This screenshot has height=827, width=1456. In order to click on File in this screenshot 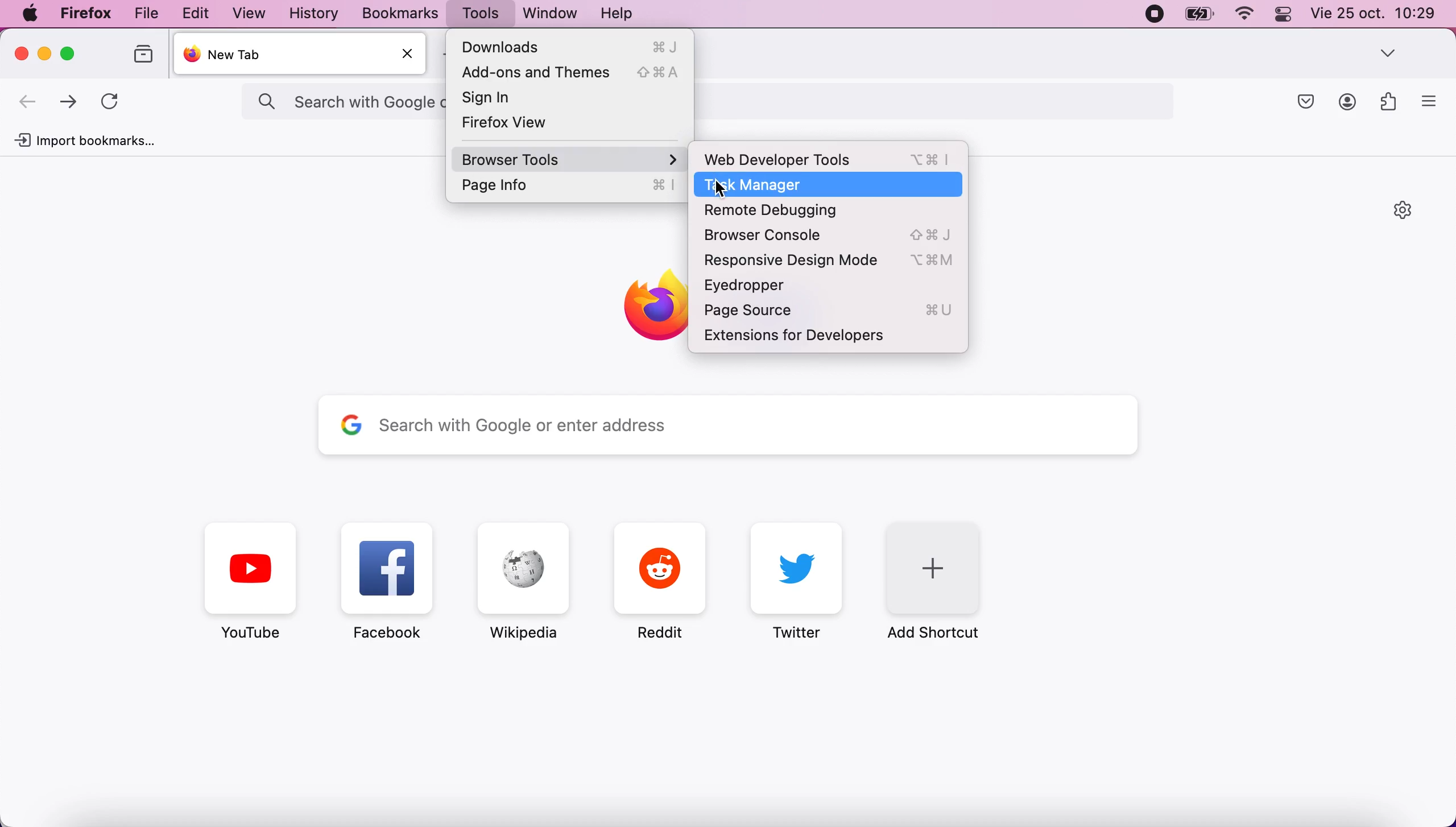, I will do `click(146, 14)`.